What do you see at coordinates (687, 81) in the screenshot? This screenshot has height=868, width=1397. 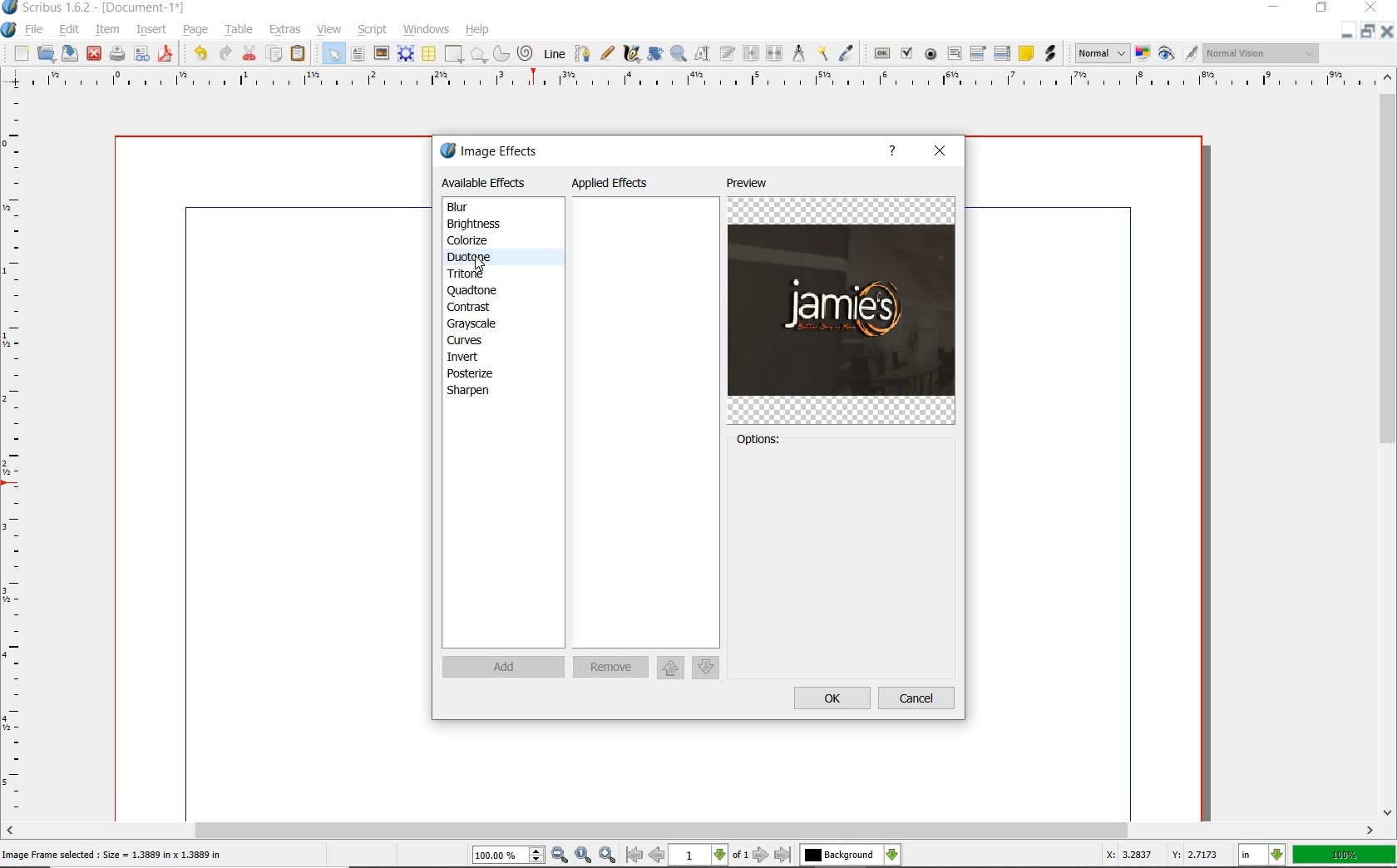 I see `ruler` at bounding box center [687, 81].